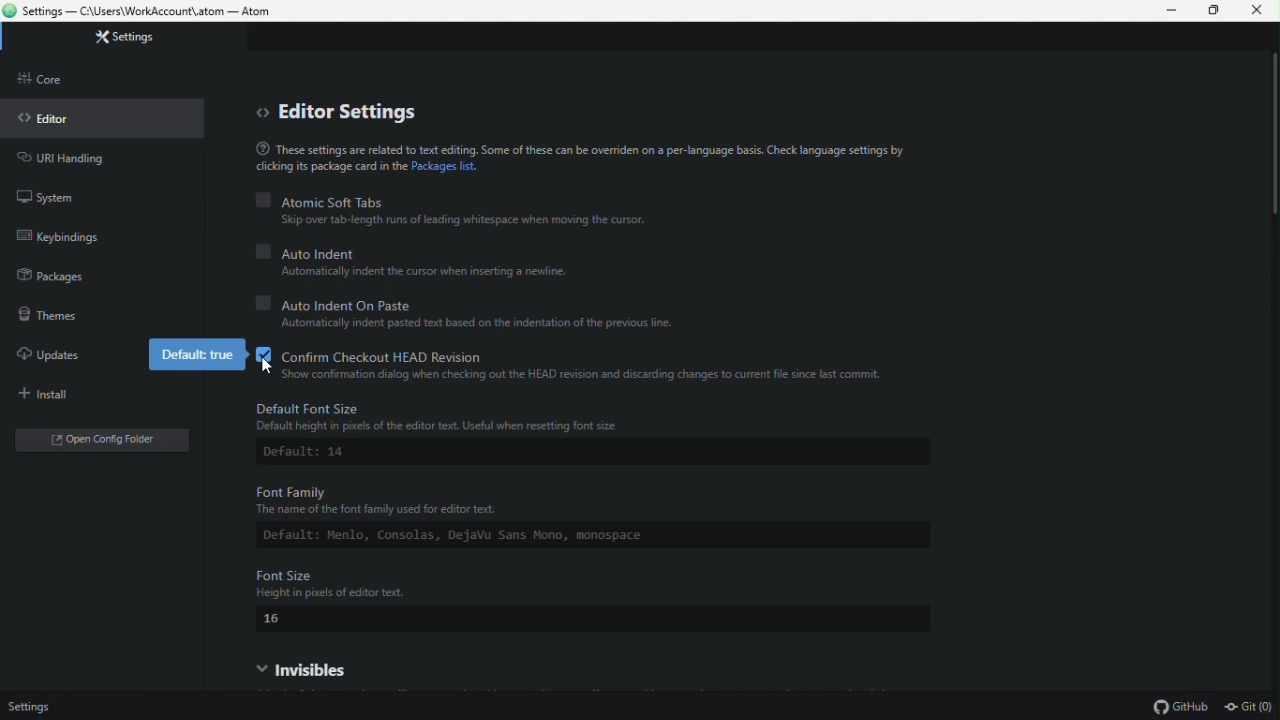 This screenshot has width=1280, height=720. I want to click on Editor, so click(67, 121).